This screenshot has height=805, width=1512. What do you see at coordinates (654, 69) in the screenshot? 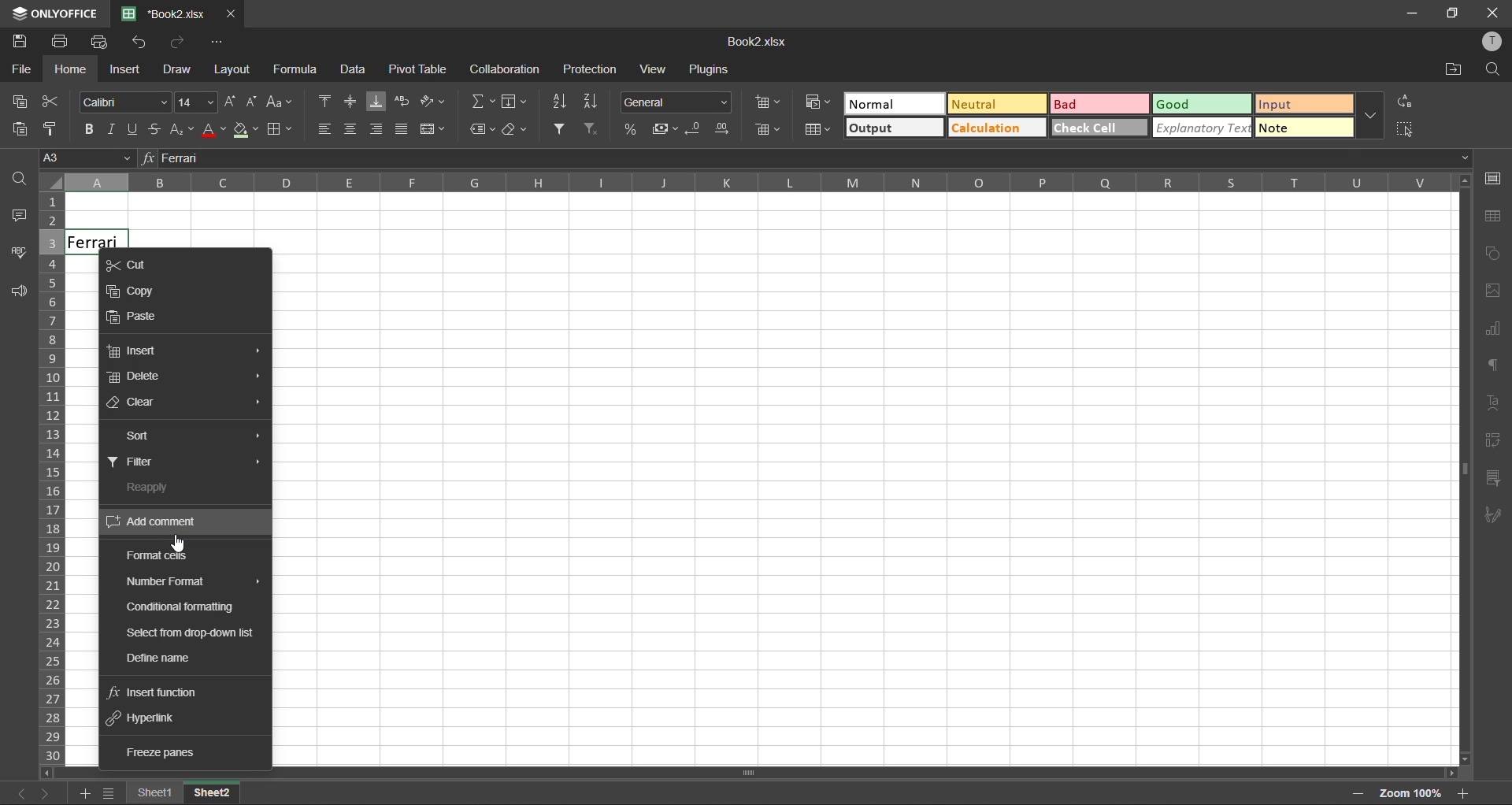
I see `view` at bounding box center [654, 69].